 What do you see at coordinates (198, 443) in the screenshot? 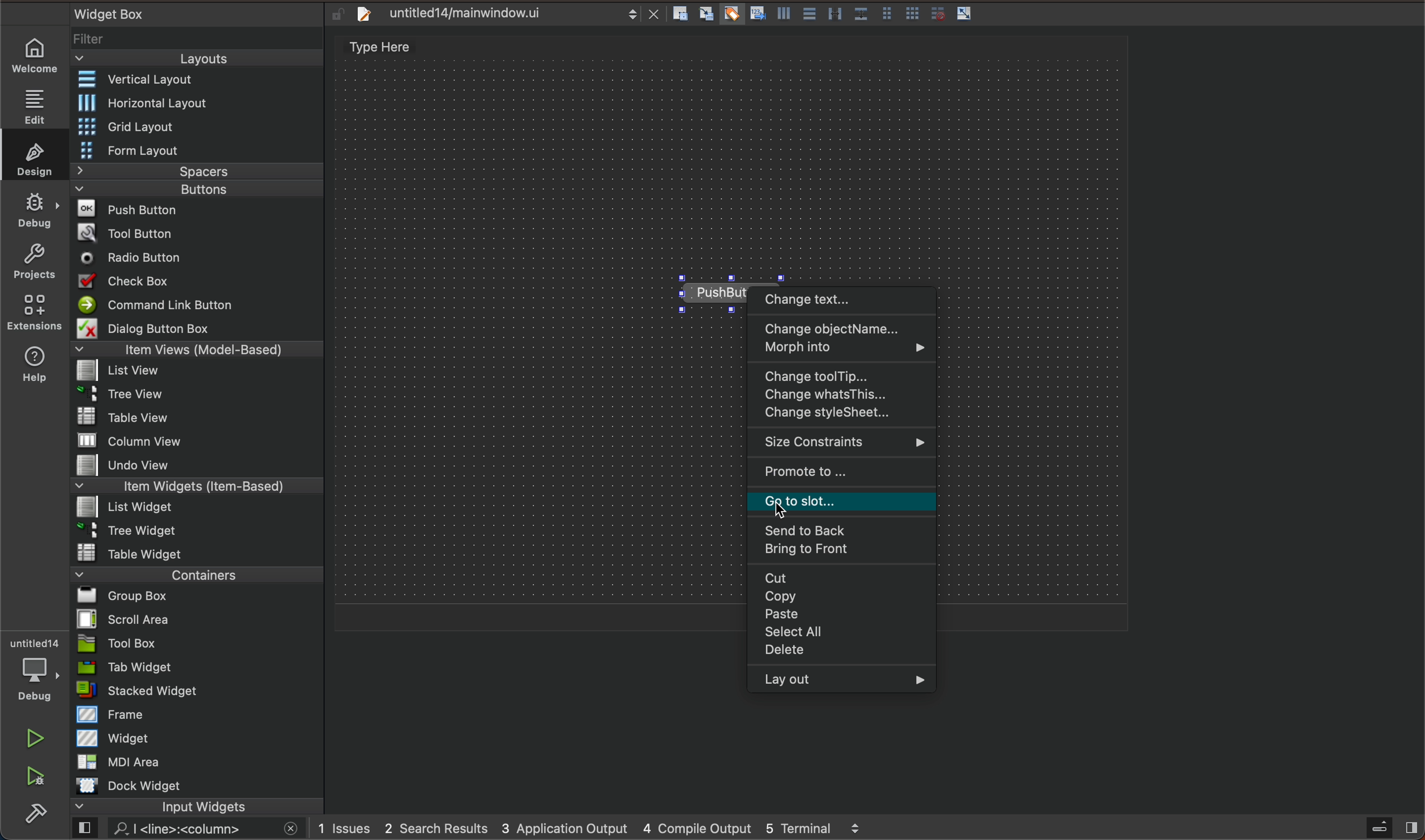
I see `column view` at bounding box center [198, 443].